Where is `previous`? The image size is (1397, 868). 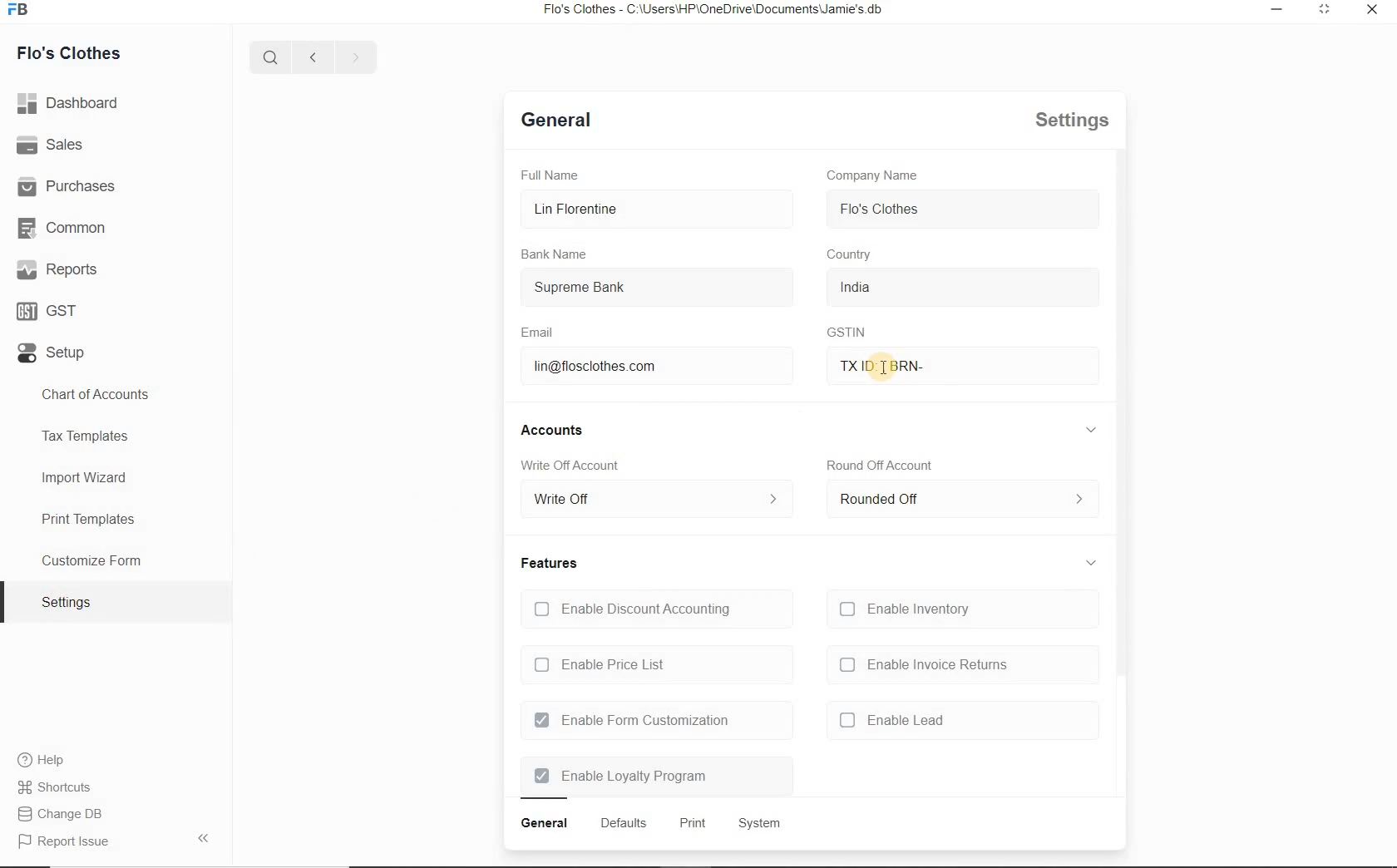 previous is located at coordinates (311, 57).